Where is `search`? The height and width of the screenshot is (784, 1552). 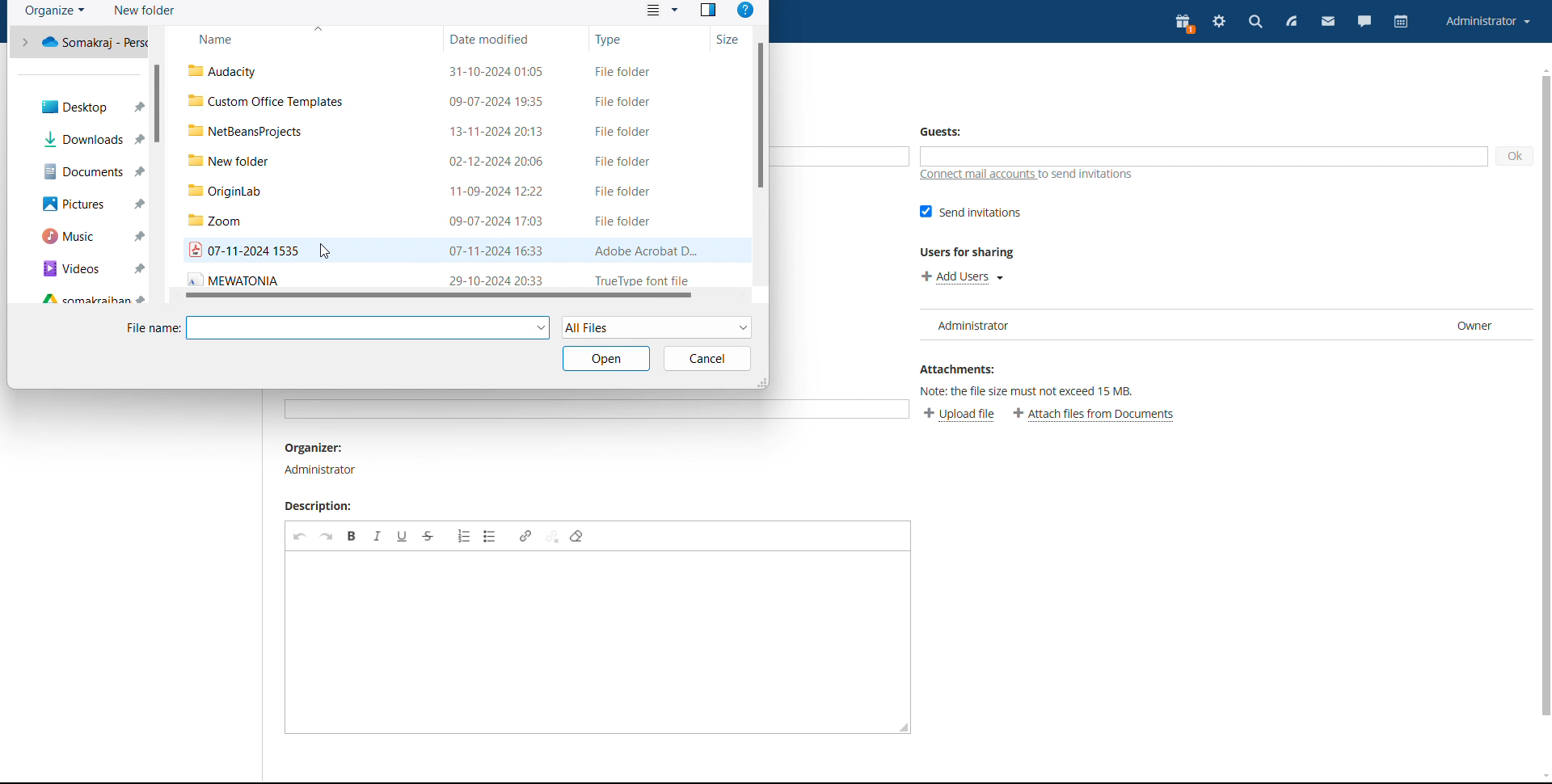
search is located at coordinates (1256, 23).